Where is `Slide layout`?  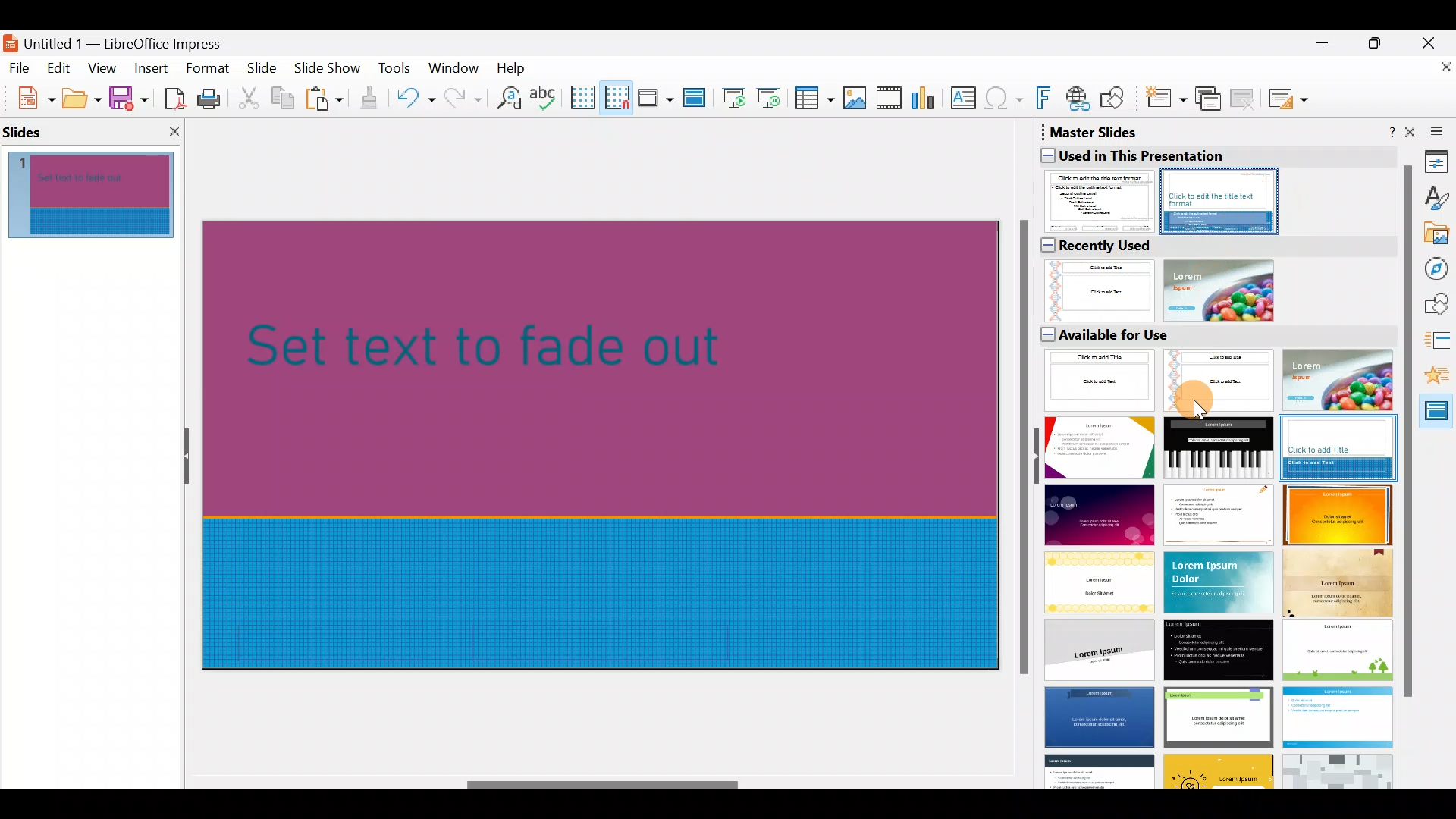
Slide layout is located at coordinates (1289, 99).